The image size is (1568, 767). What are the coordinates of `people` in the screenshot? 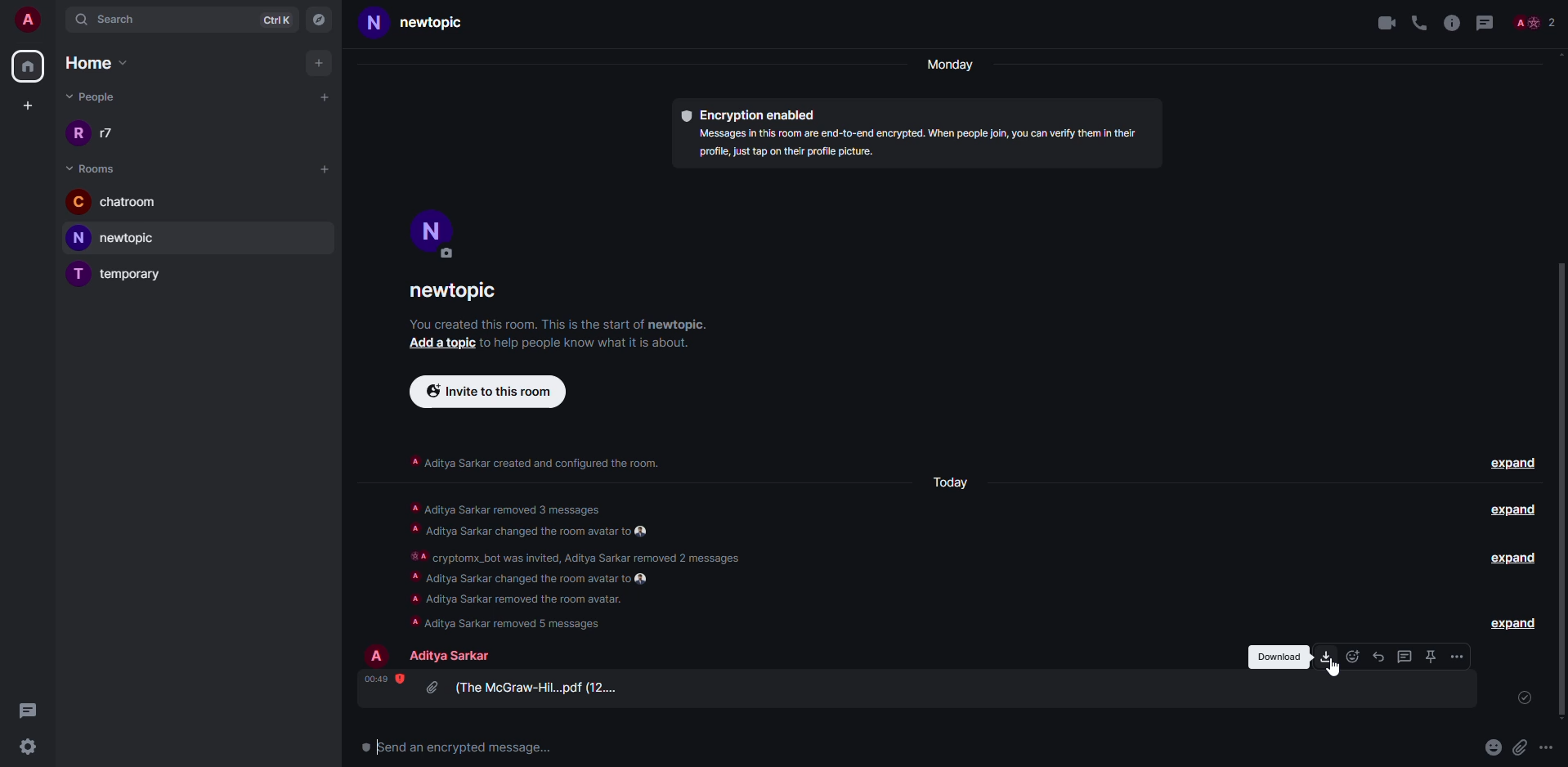 It's located at (102, 135).